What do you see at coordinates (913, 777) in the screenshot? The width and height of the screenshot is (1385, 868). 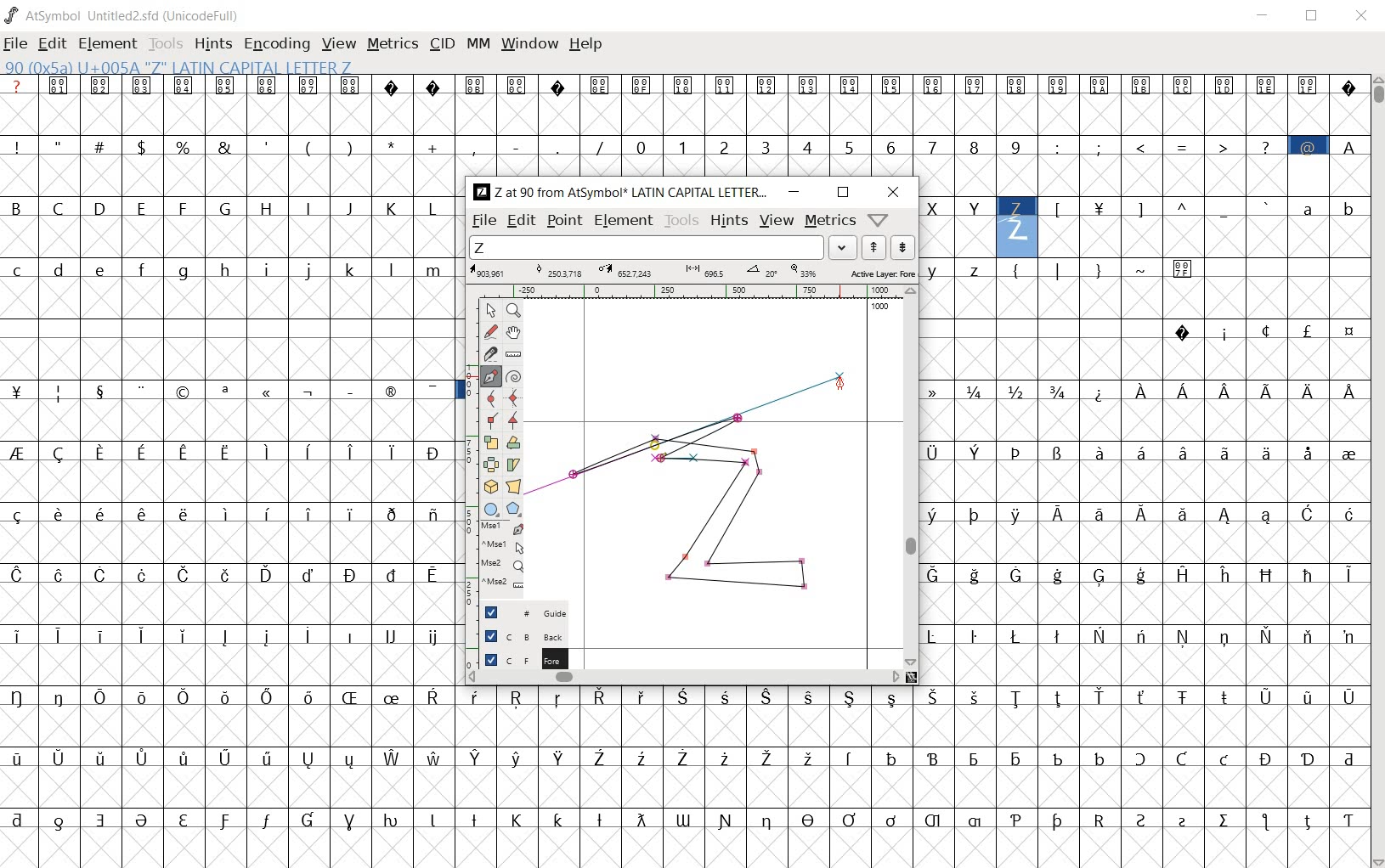 I see `glyph characters` at bounding box center [913, 777].